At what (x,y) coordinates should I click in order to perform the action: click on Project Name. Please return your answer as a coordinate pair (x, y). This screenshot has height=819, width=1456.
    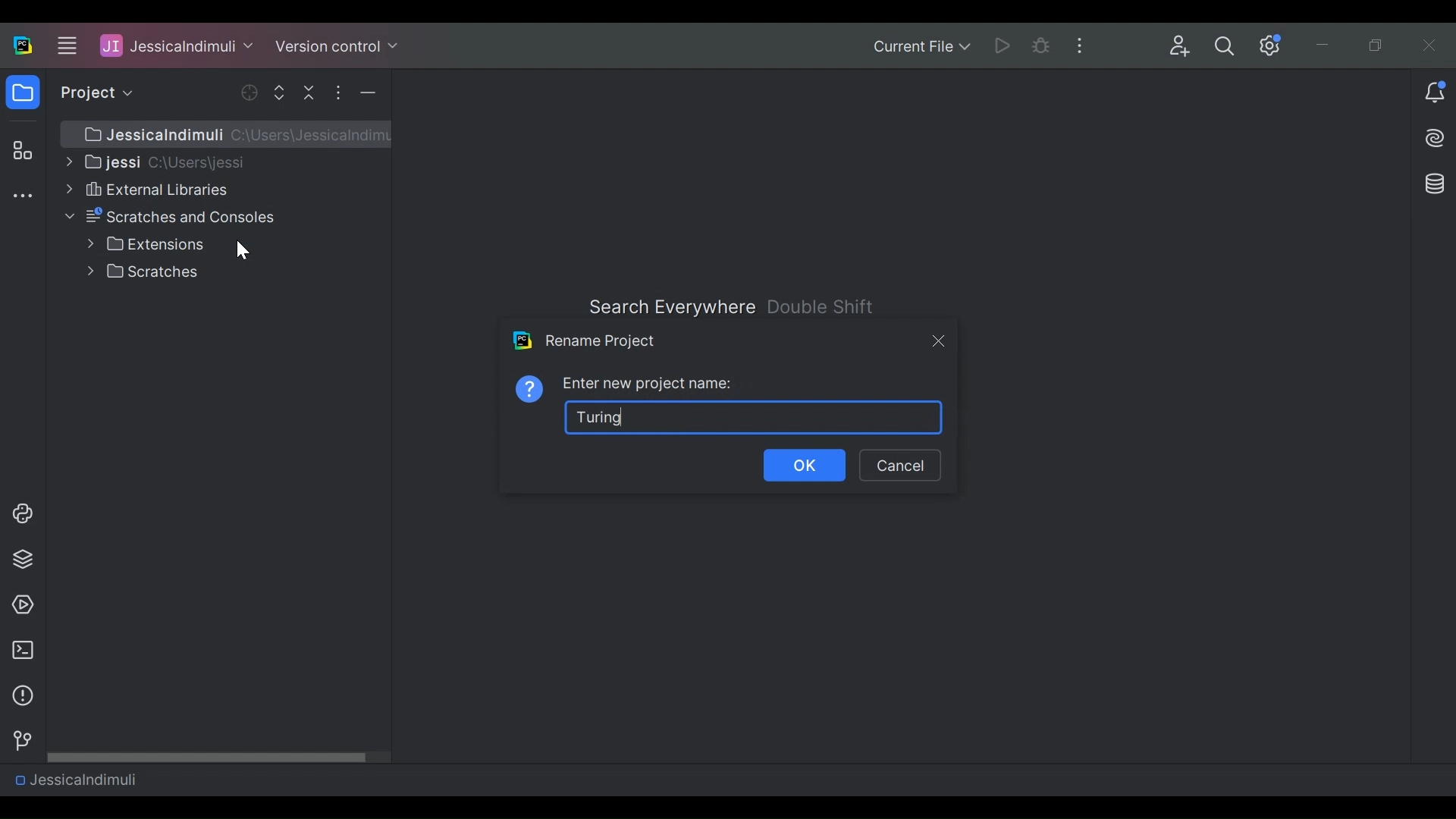
    Looking at the image, I should click on (177, 45).